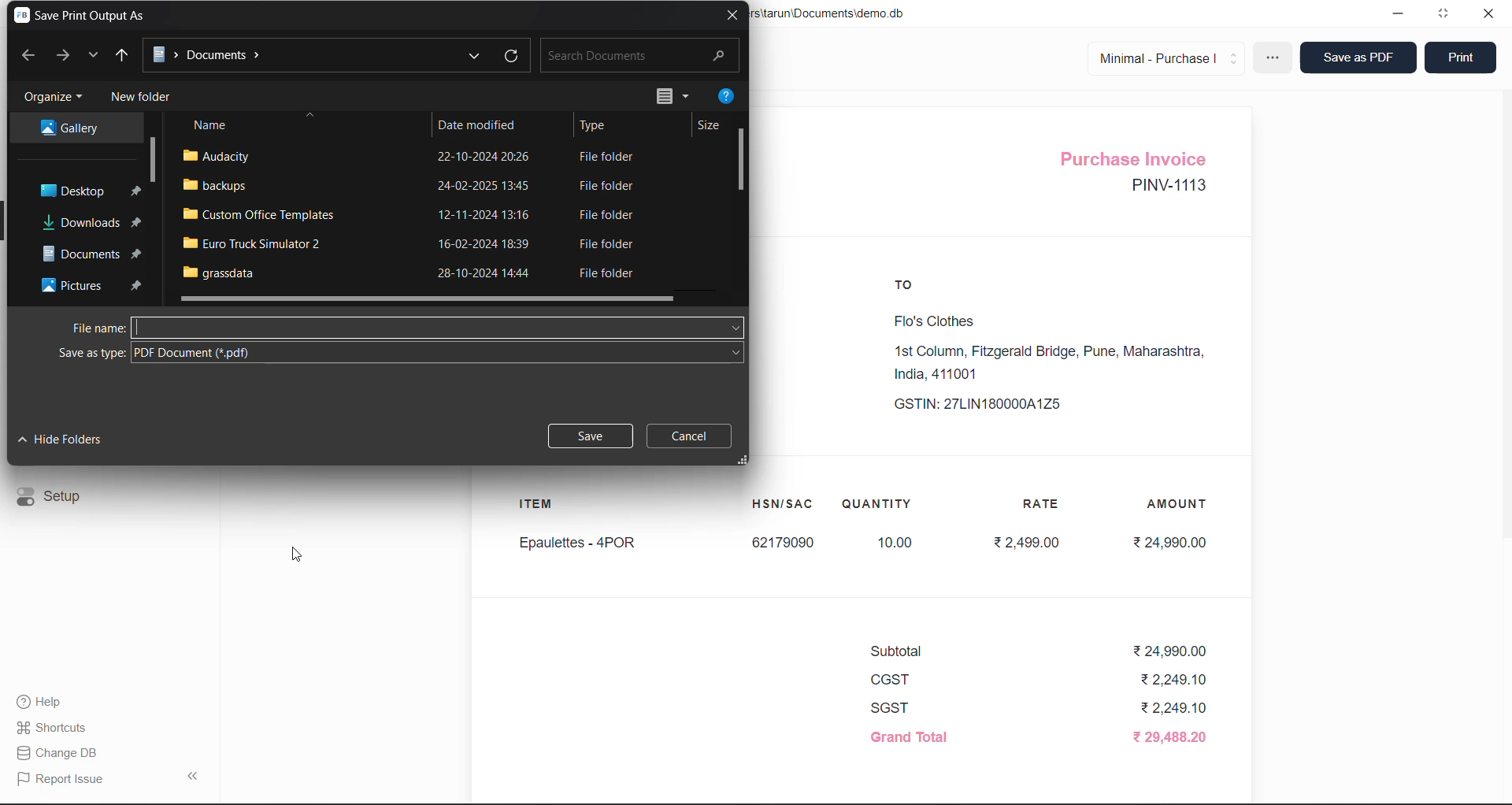  Describe the element at coordinates (147, 98) in the screenshot. I see `New folder` at that location.